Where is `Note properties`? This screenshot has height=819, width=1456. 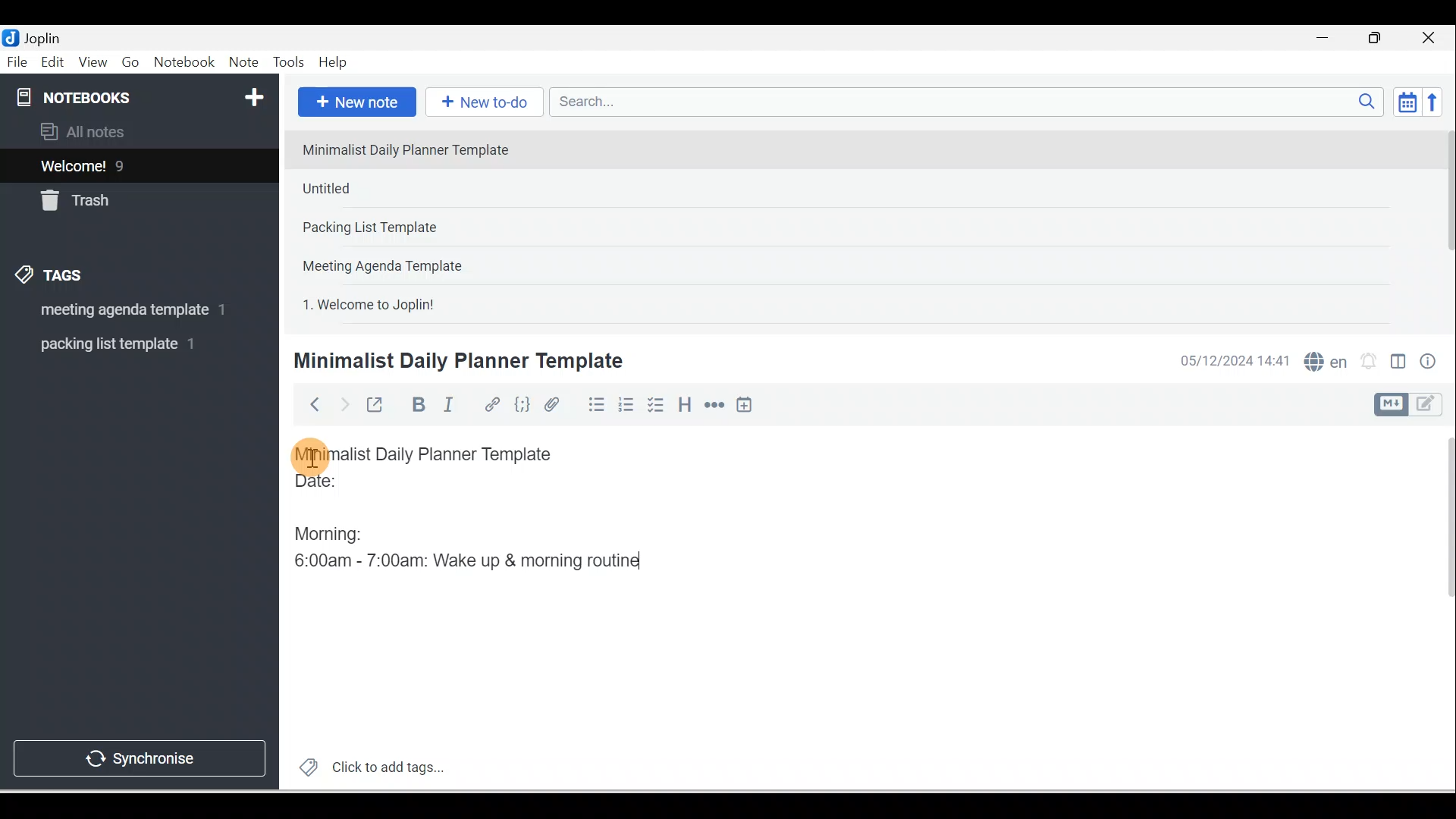 Note properties is located at coordinates (1429, 363).